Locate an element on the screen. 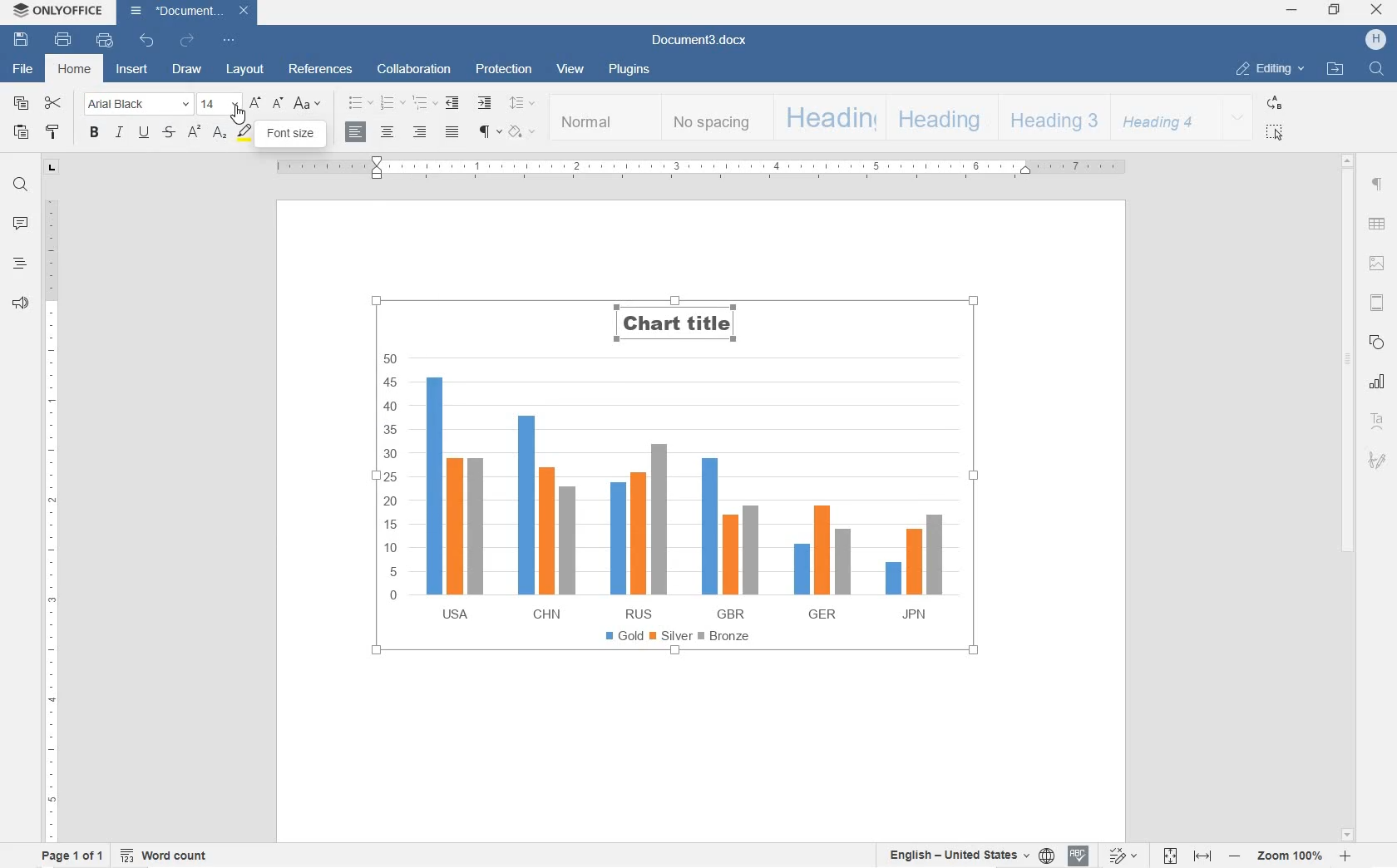  NORMAL is located at coordinates (605, 117).